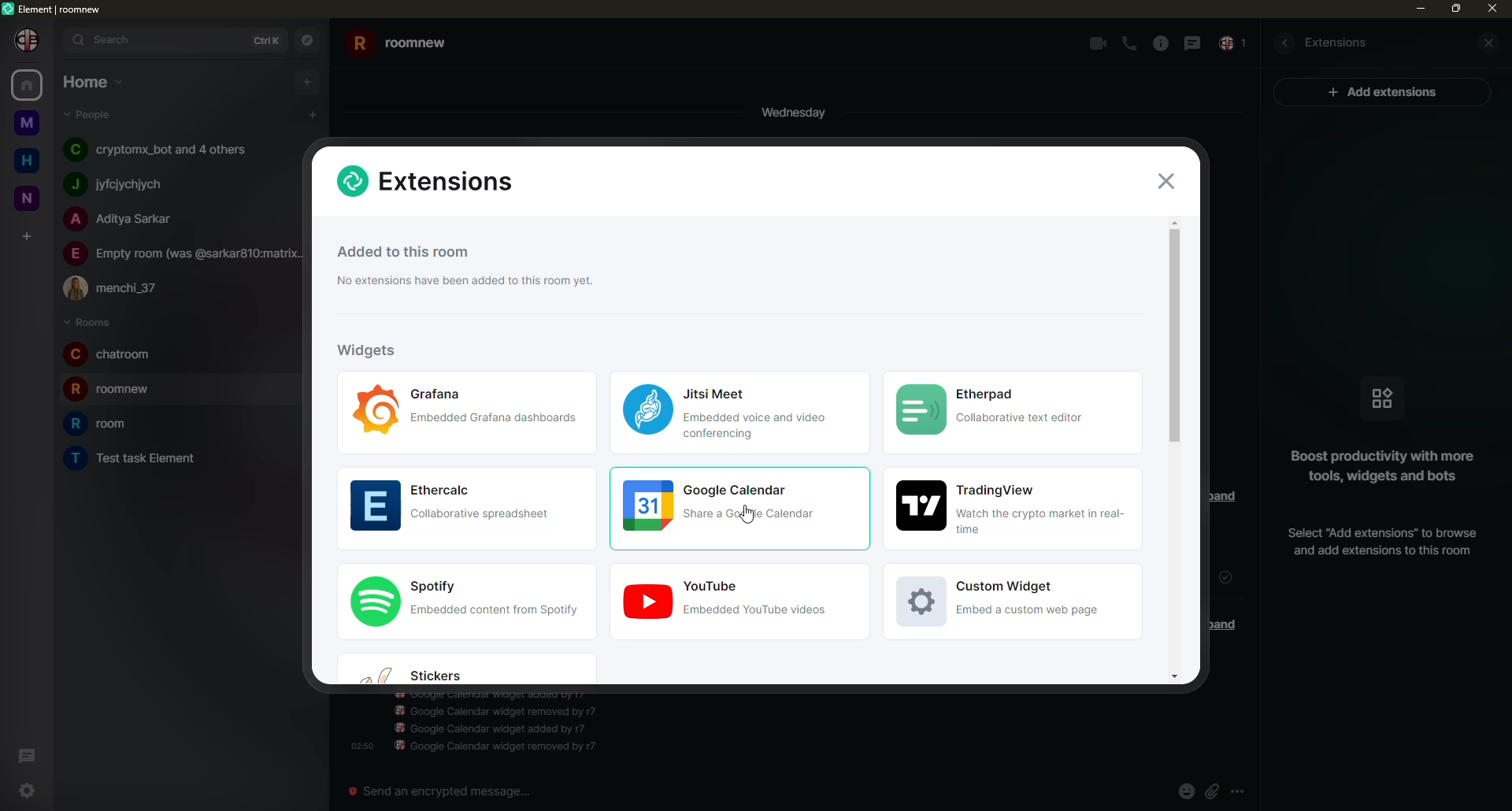  What do you see at coordinates (750, 520) in the screenshot?
I see `cursor` at bounding box center [750, 520].